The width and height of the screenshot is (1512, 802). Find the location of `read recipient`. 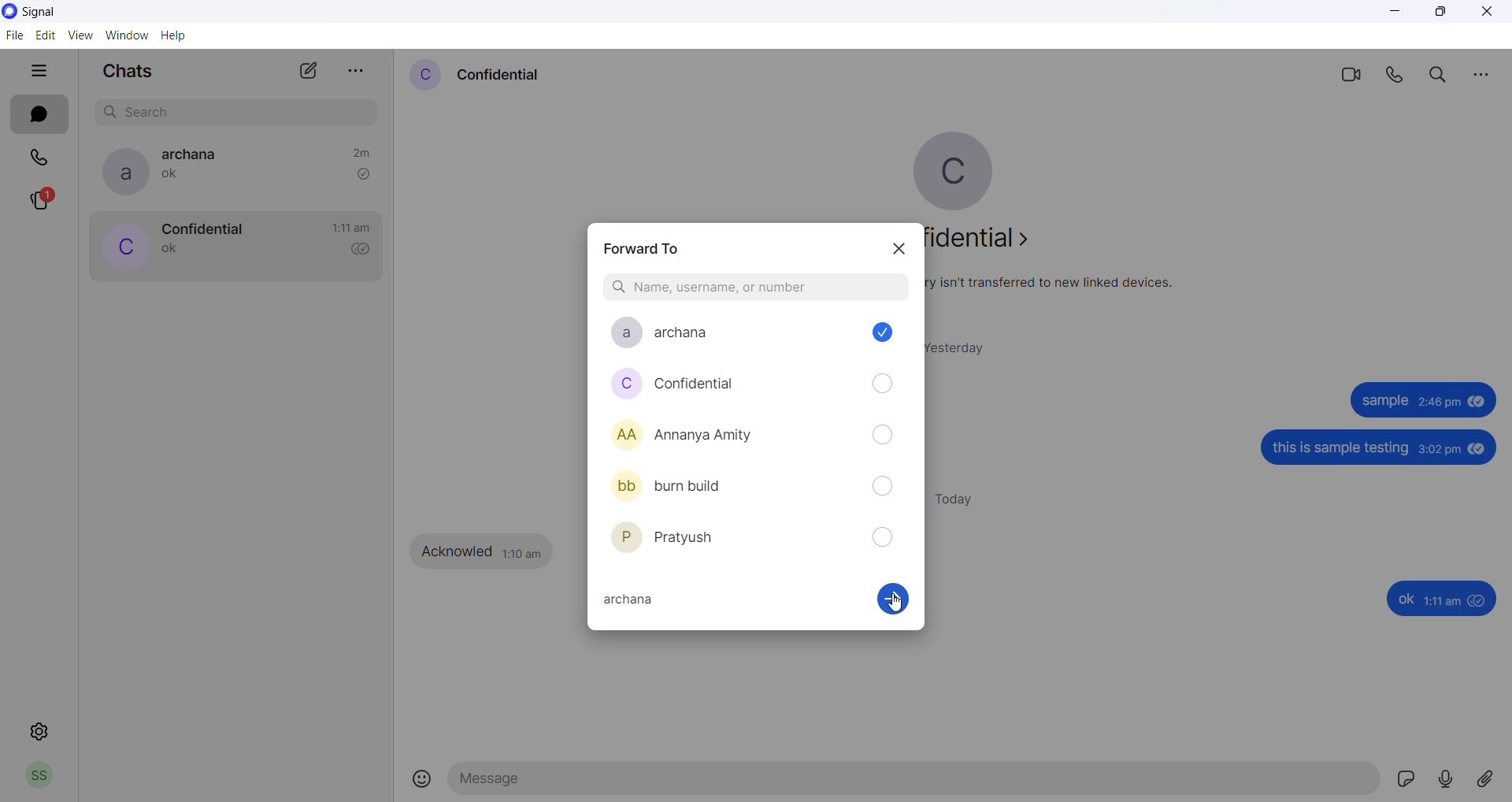

read recipient is located at coordinates (363, 174).